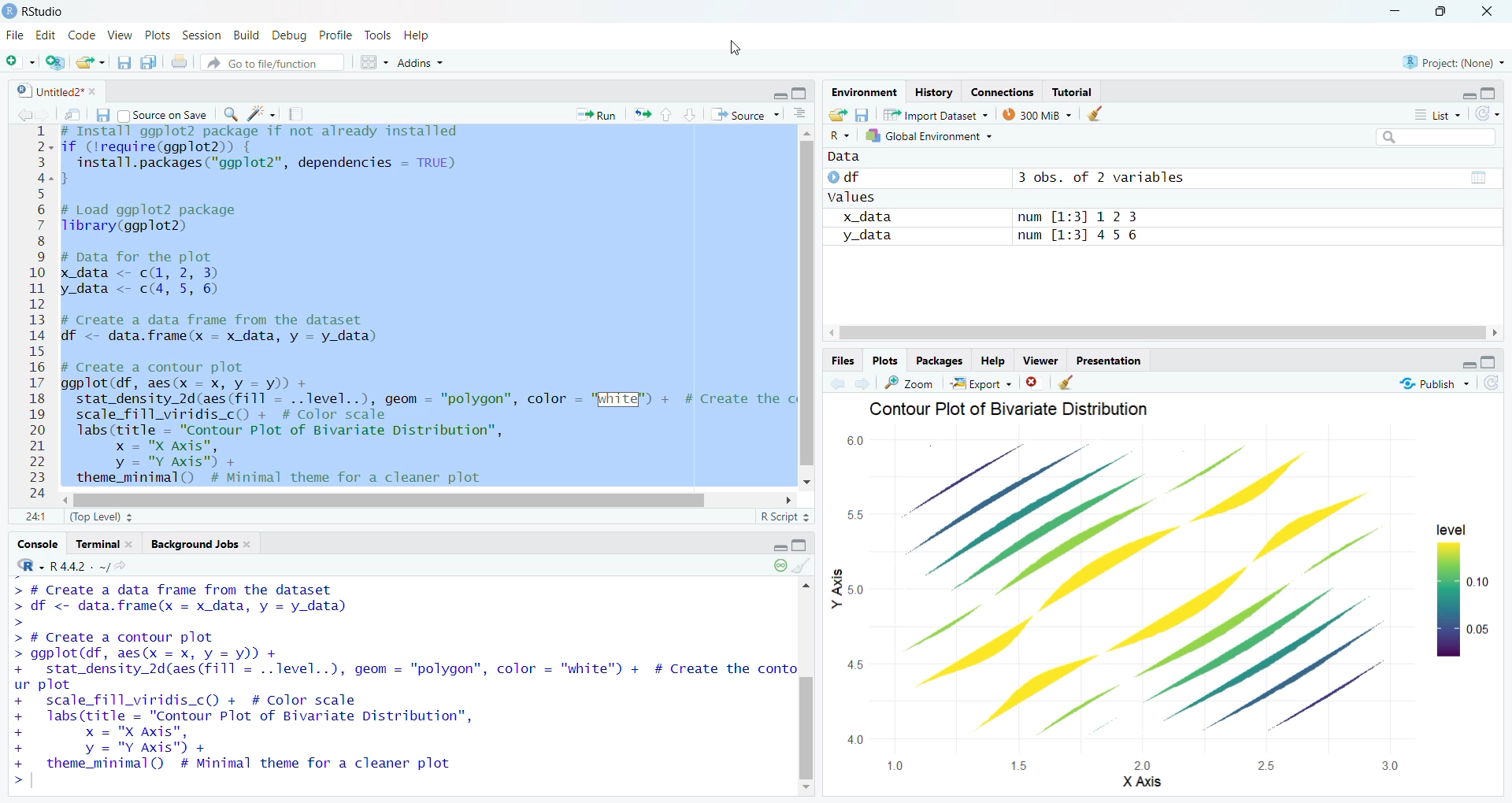 This screenshot has width=1512, height=803. What do you see at coordinates (804, 546) in the screenshot?
I see `hide console` at bounding box center [804, 546].